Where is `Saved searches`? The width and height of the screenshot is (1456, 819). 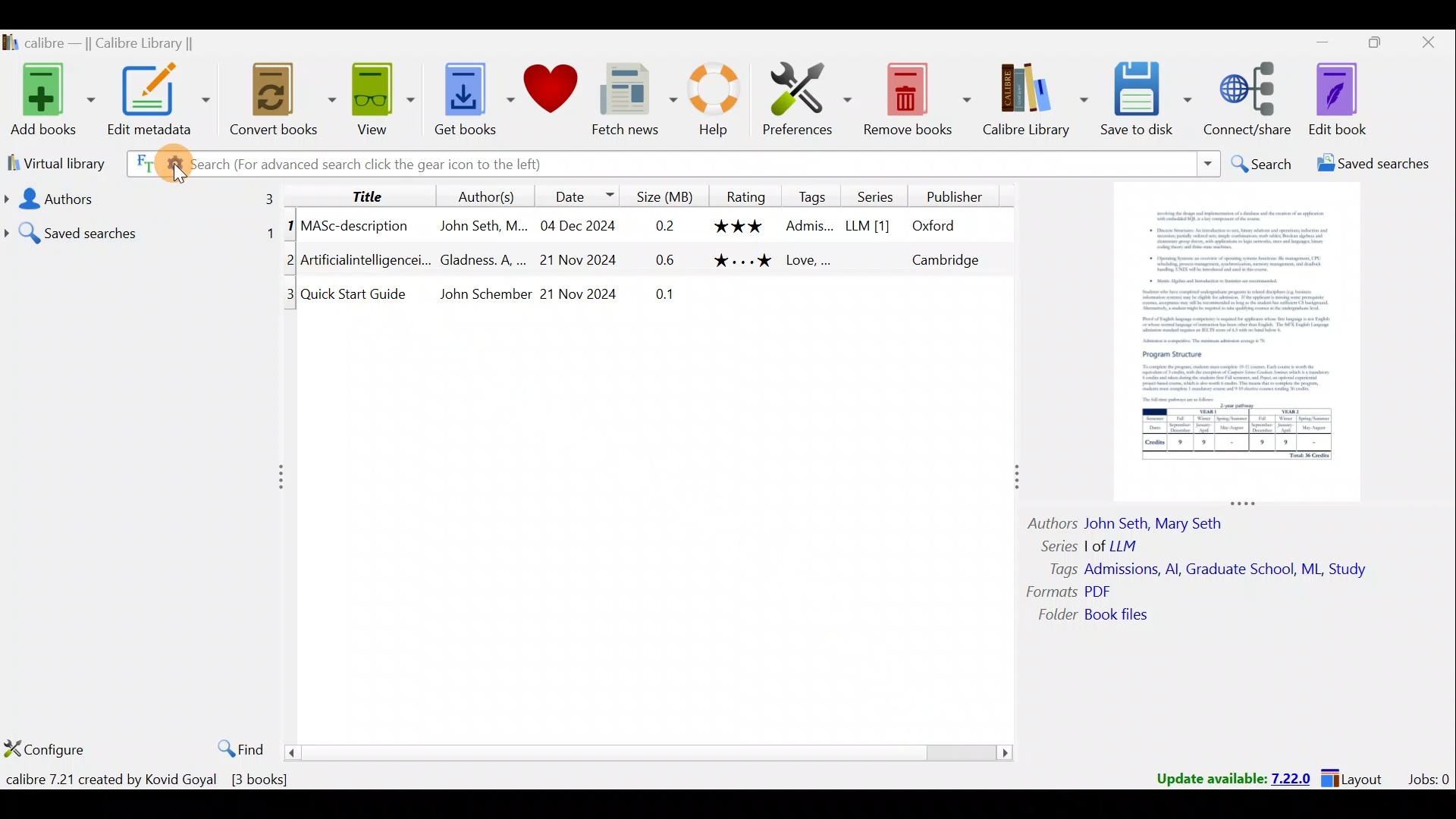
Saved searches is located at coordinates (140, 229).